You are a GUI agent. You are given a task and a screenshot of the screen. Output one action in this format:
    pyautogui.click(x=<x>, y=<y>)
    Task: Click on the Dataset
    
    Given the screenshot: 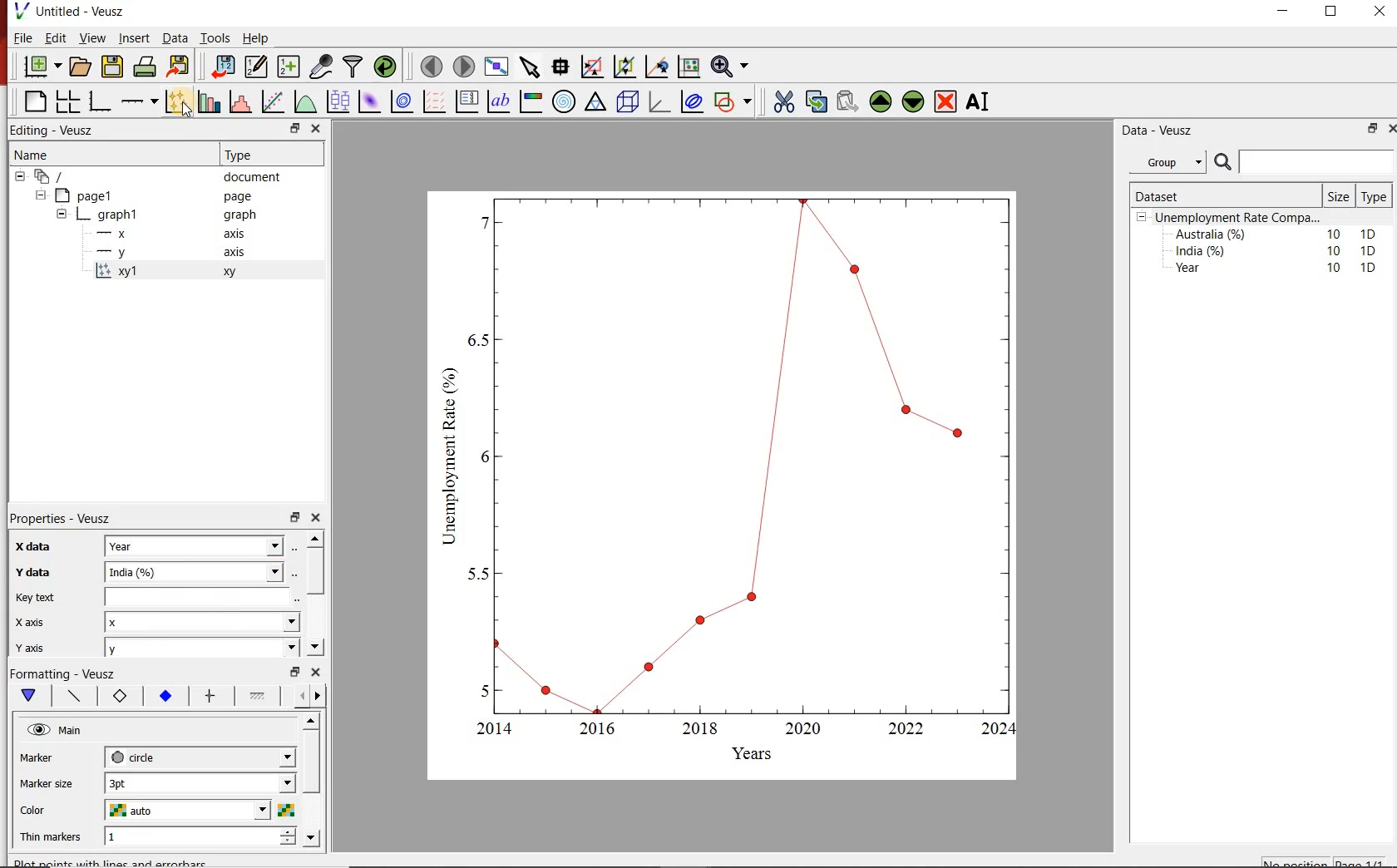 What is the action you would take?
    pyautogui.click(x=1196, y=196)
    